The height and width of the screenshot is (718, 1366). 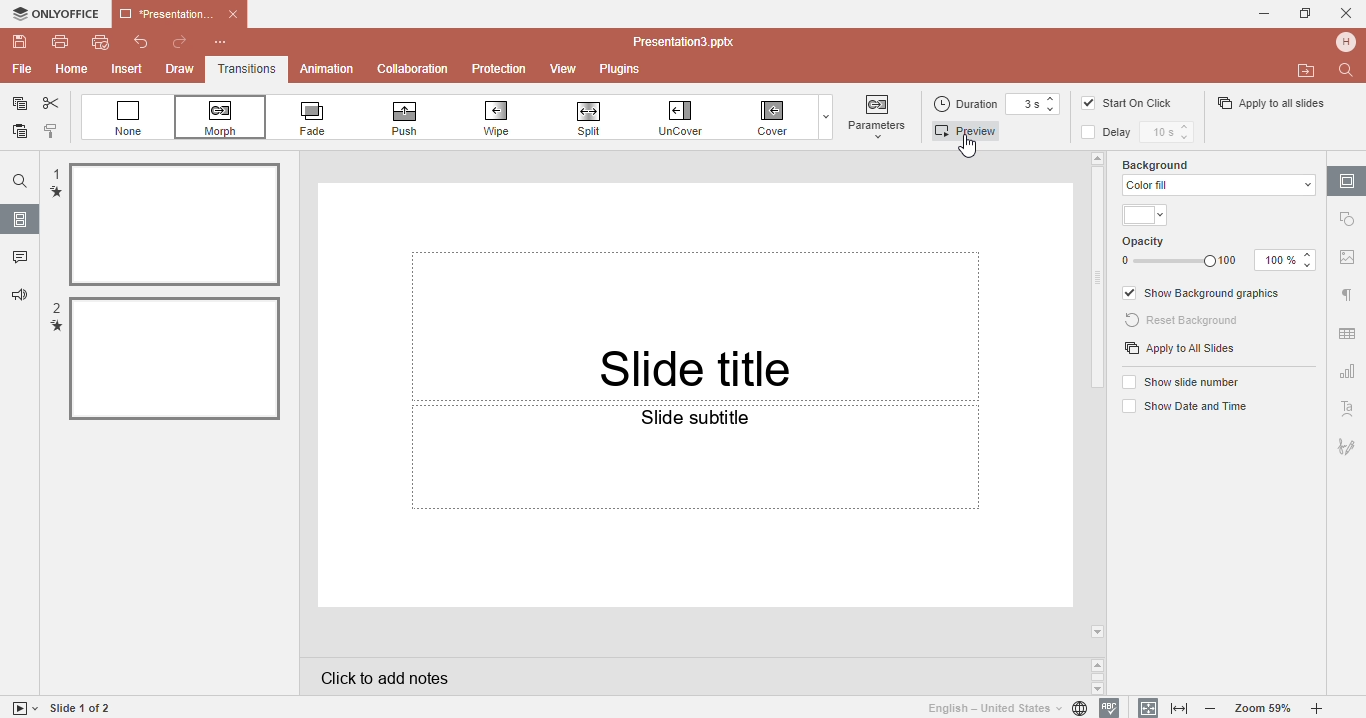 I want to click on Zoom out, so click(x=1215, y=710).